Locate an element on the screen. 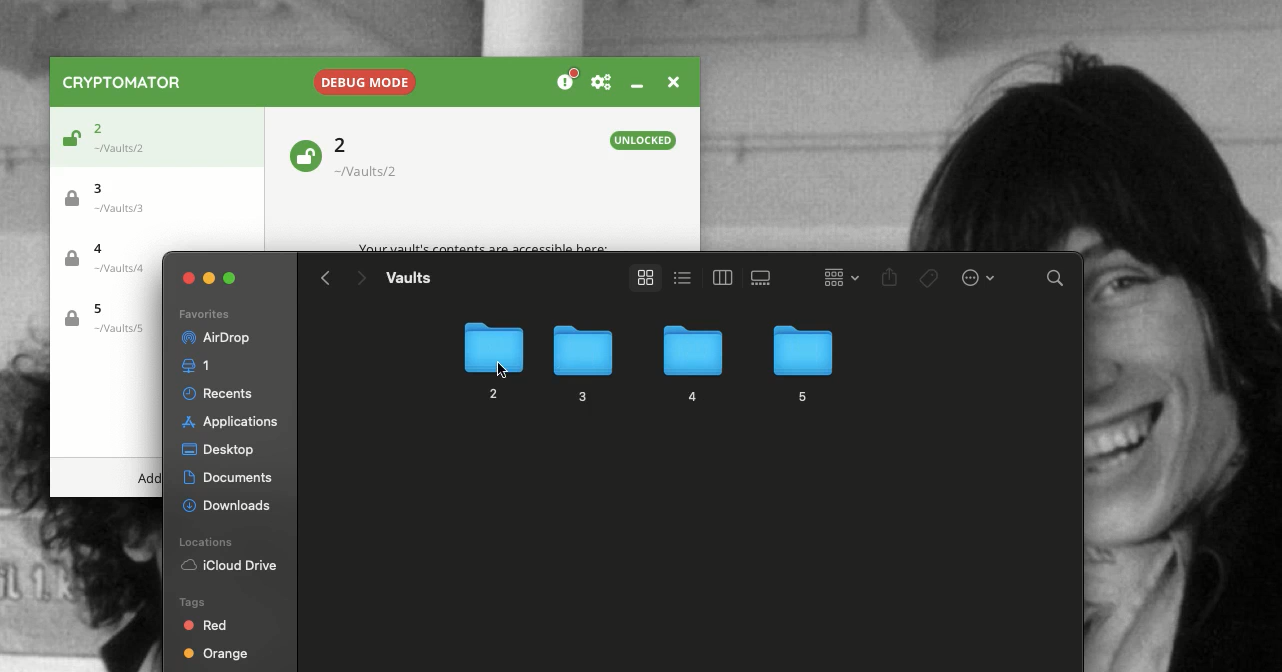  Close is located at coordinates (189, 278).